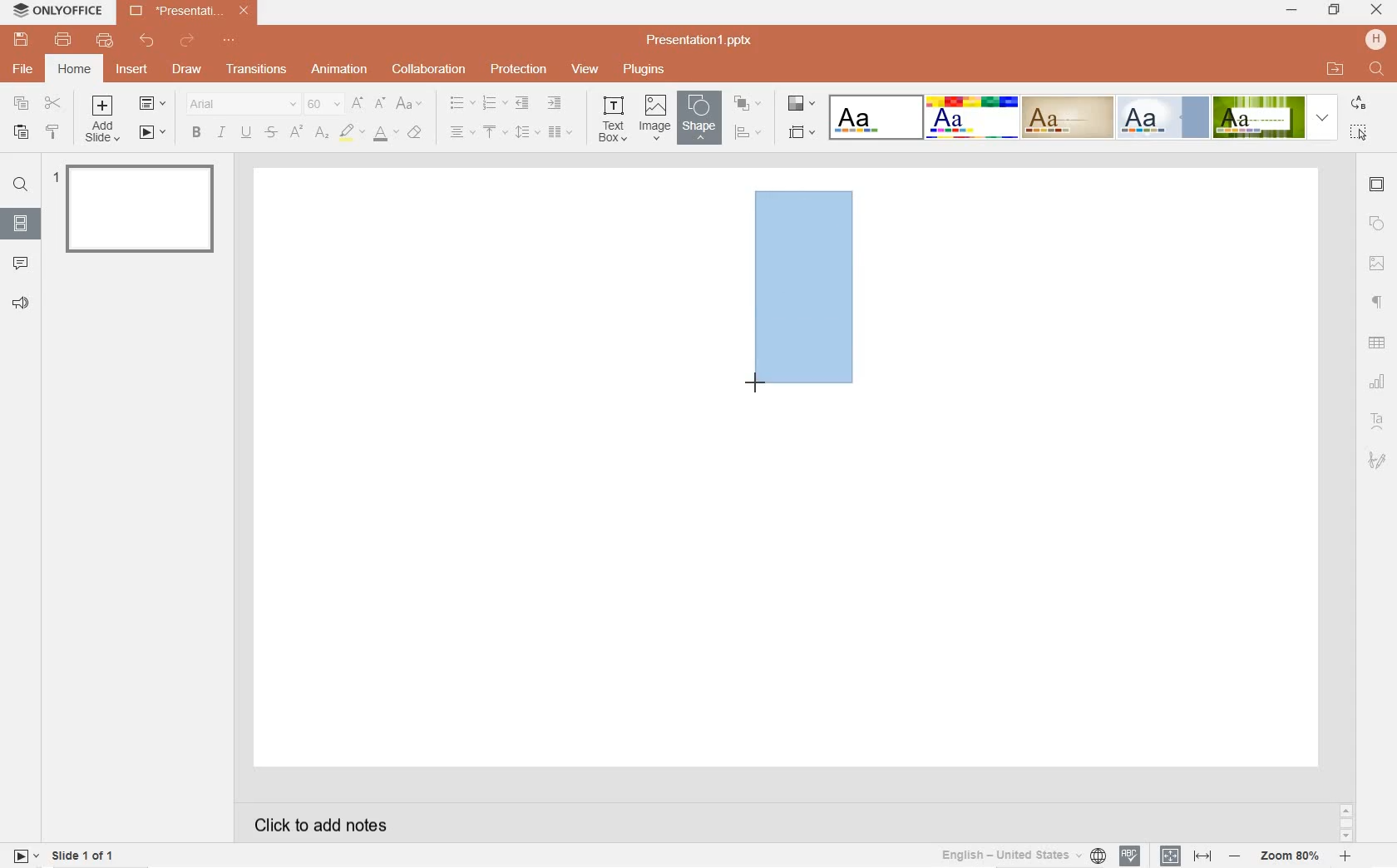 Image resolution: width=1397 pixels, height=868 pixels. Describe the element at coordinates (643, 69) in the screenshot. I see `plugins` at that location.